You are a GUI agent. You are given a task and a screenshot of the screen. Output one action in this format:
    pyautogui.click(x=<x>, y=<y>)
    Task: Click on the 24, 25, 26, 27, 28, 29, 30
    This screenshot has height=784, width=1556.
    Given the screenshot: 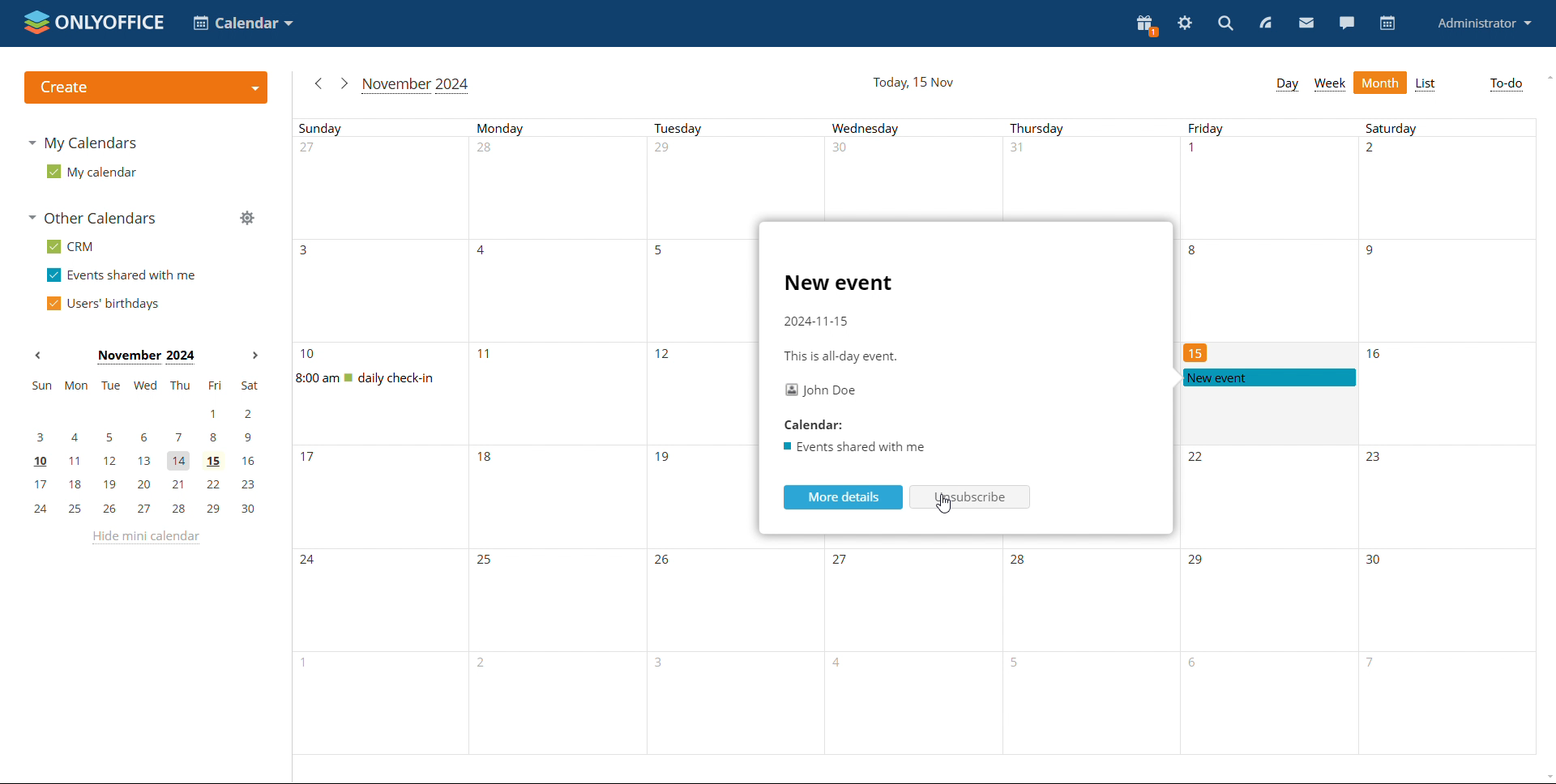 What is the action you would take?
    pyautogui.click(x=143, y=509)
    